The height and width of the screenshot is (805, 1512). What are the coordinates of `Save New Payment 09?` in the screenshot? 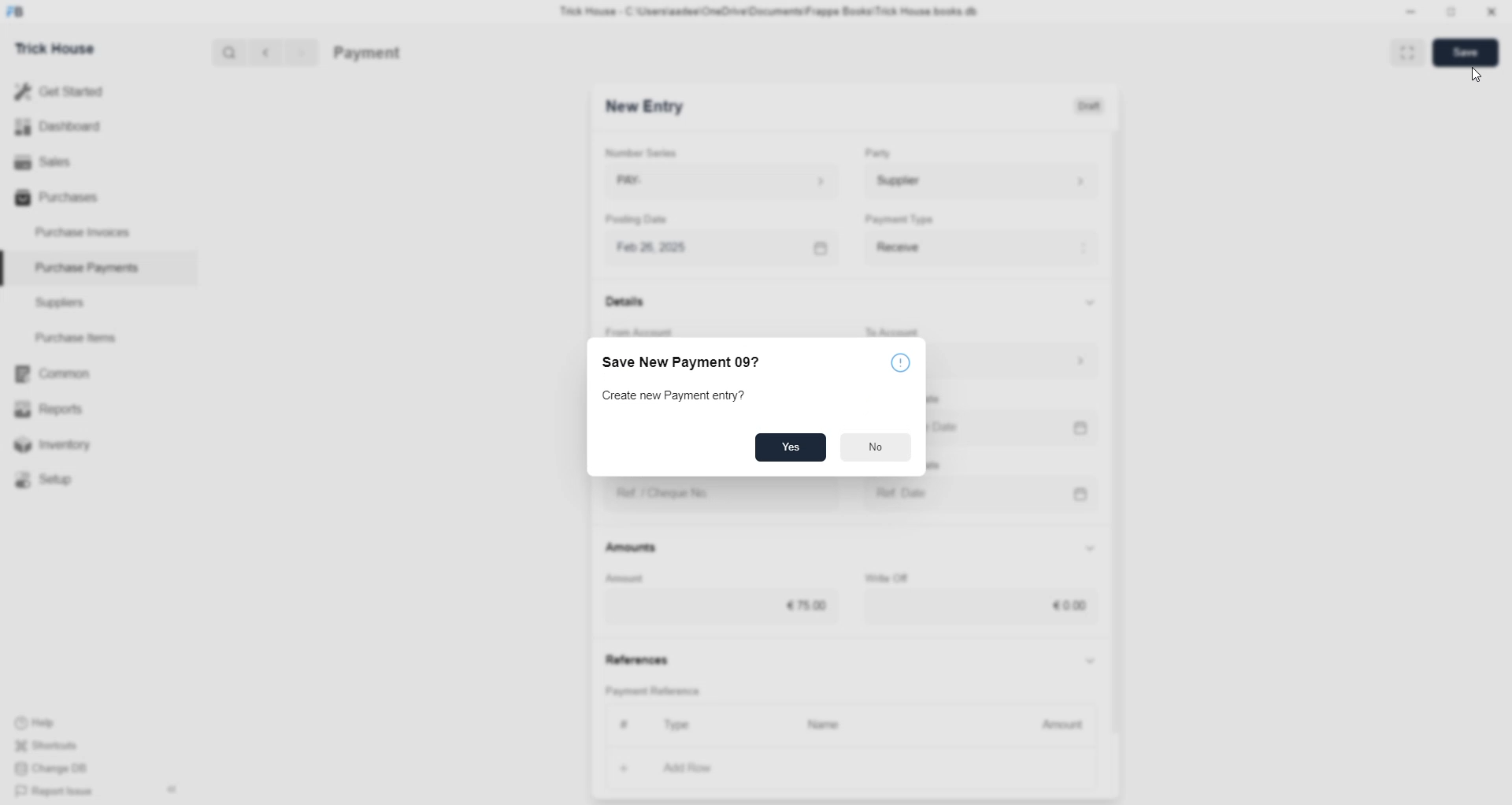 It's located at (684, 364).